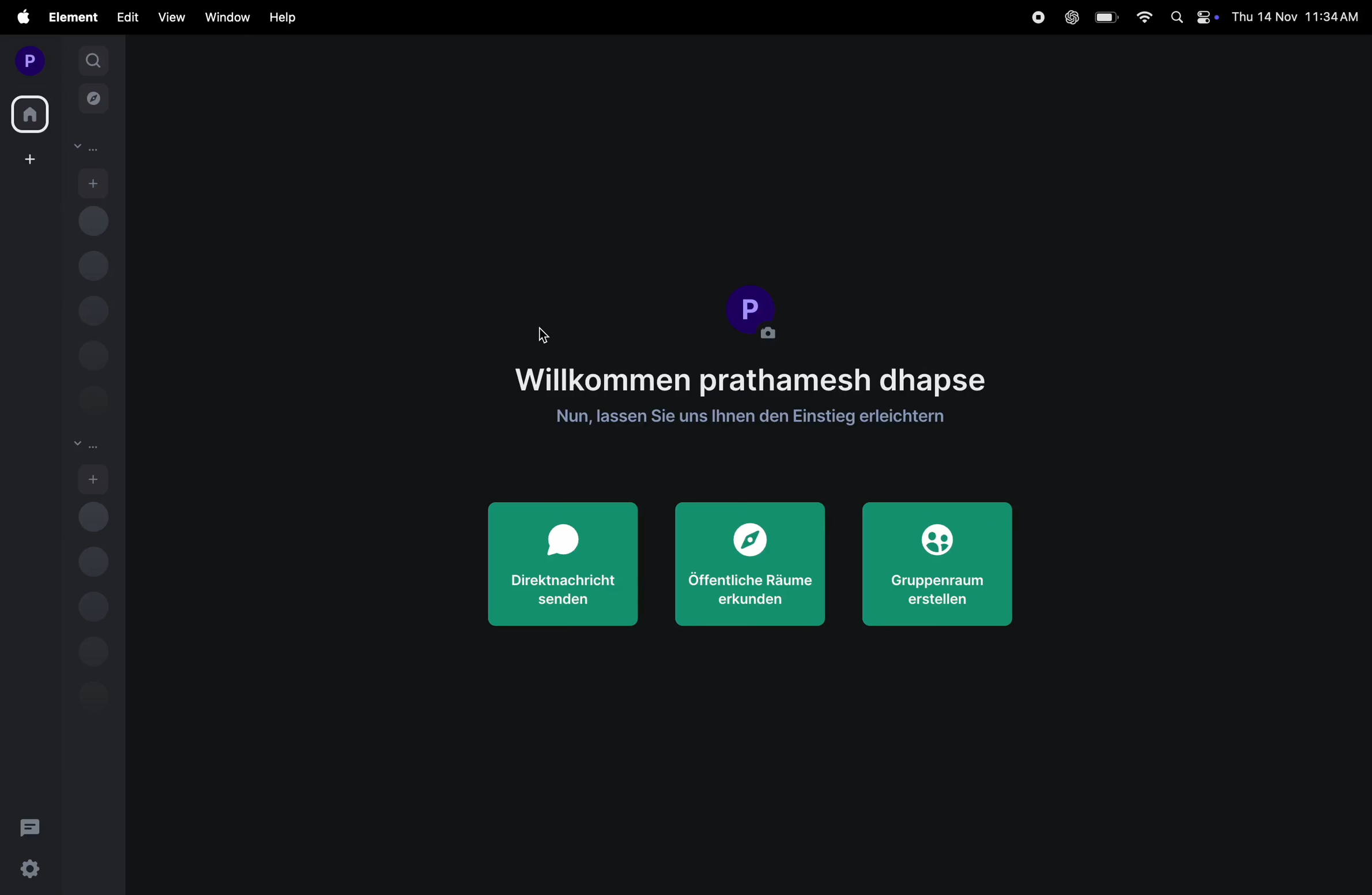 This screenshot has width=1372, height=895. What do you see at coordinates (28, 159) in the screenshot?
I see `create space` at bounding box center [28, 159].